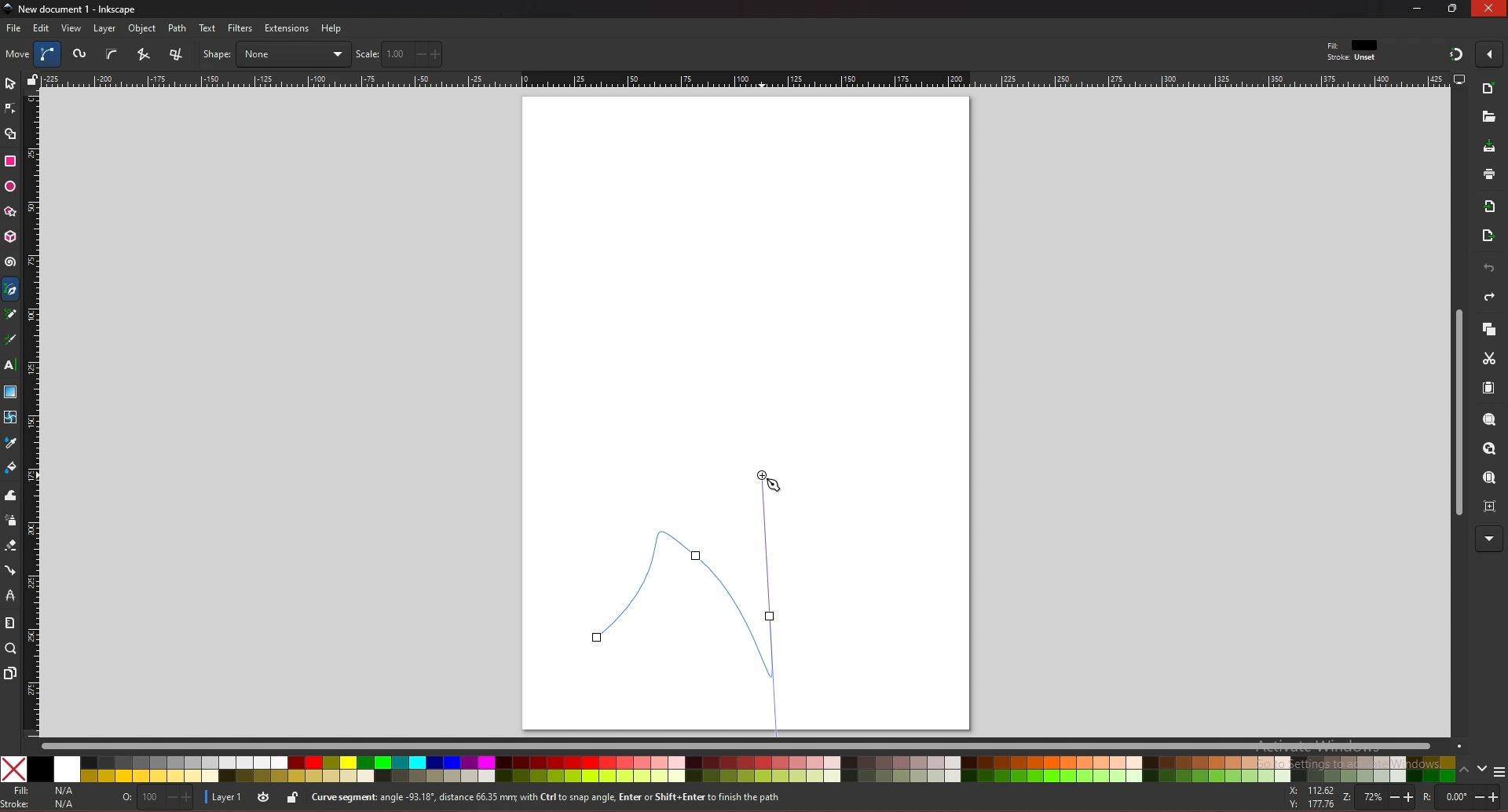 The image size is (1508, 812). Describe the element at coordinates (178, 55) in the screenshot. I see `sequence of paraxial line segments` at that location.